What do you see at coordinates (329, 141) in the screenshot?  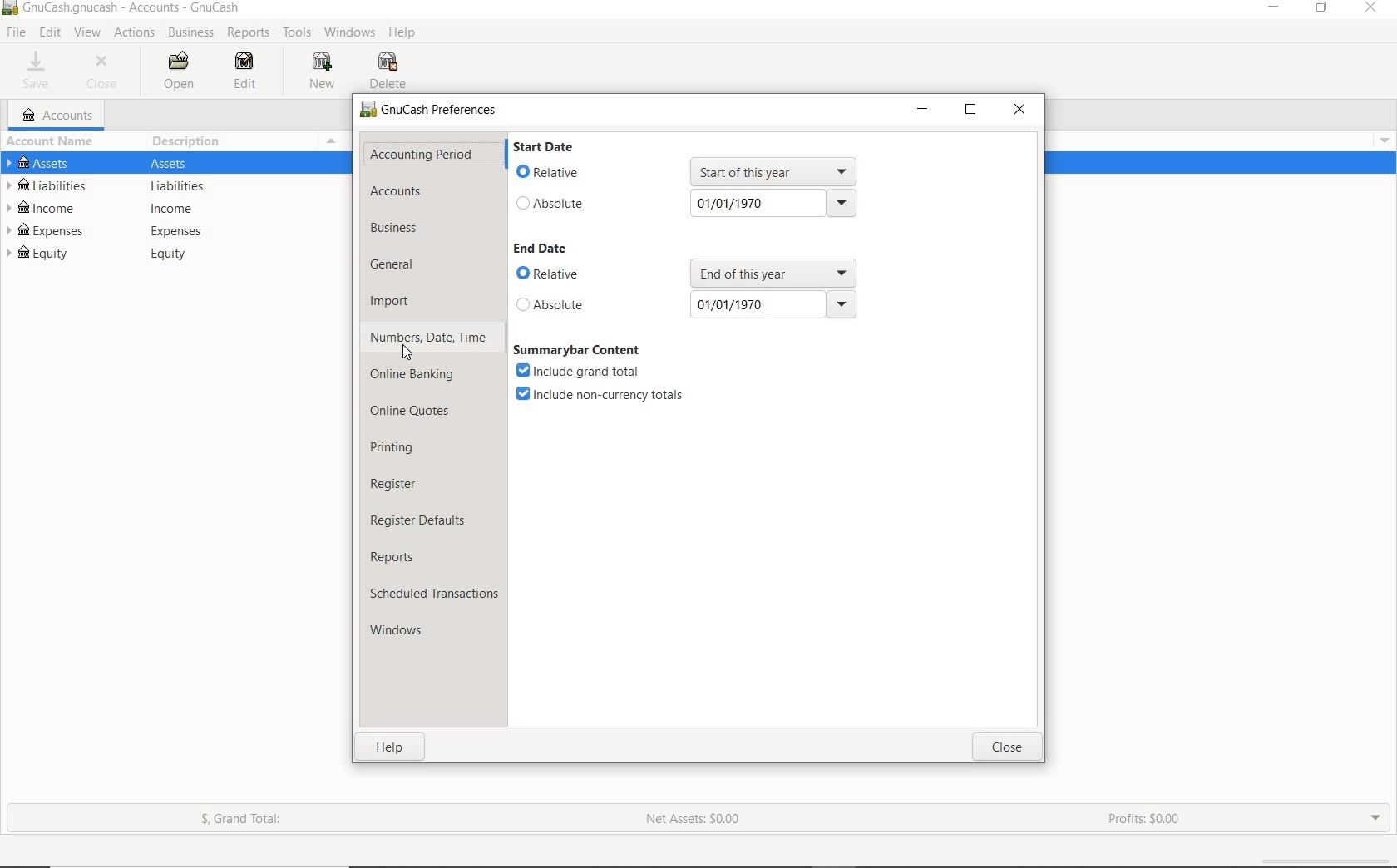 I see `Menu` at bounding box center [329, 141].